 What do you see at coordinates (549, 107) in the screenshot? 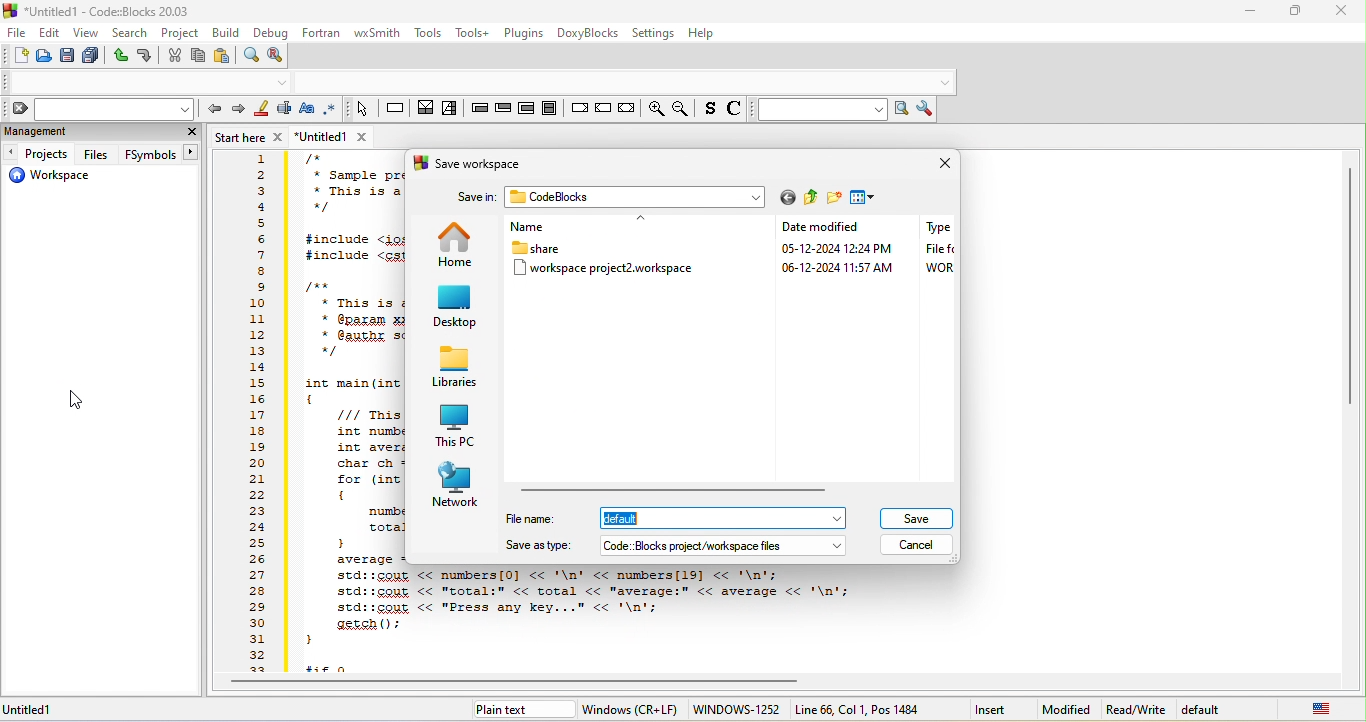
I see `block` at bounding box center [549, 107].